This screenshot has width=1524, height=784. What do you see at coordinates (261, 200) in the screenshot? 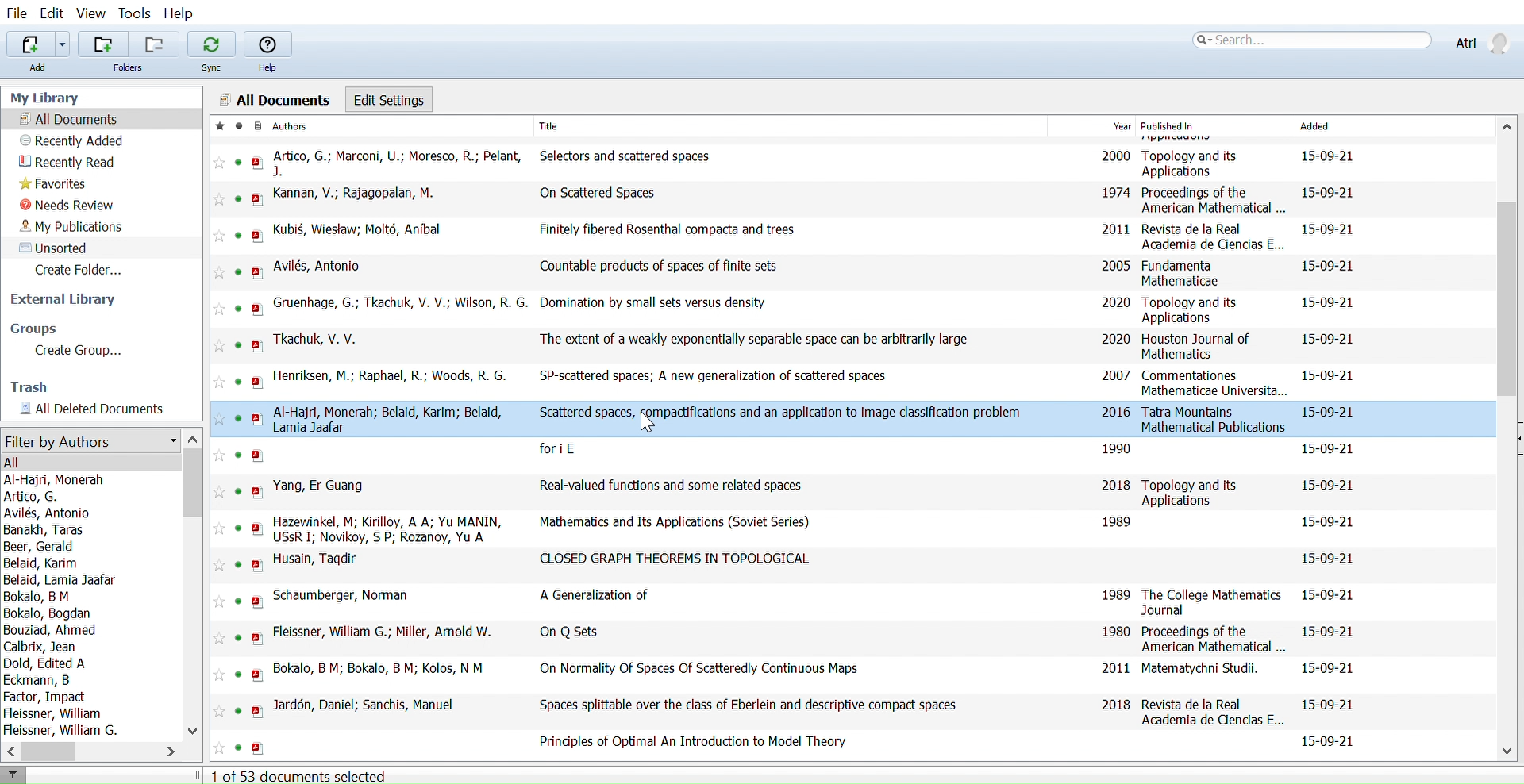
I see `Pdf document` at bounding box center [261, 200].